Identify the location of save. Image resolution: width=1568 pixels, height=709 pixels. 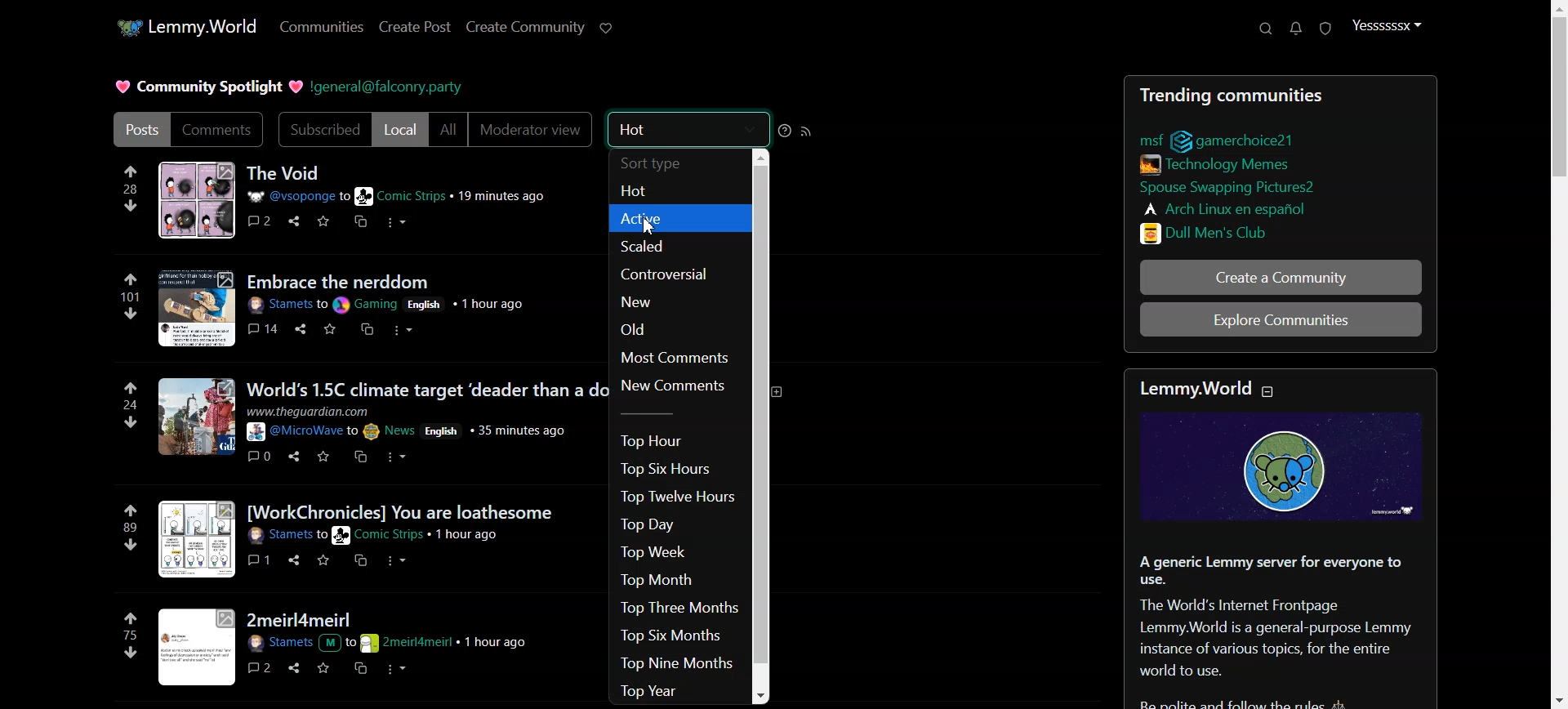
(328, 328).